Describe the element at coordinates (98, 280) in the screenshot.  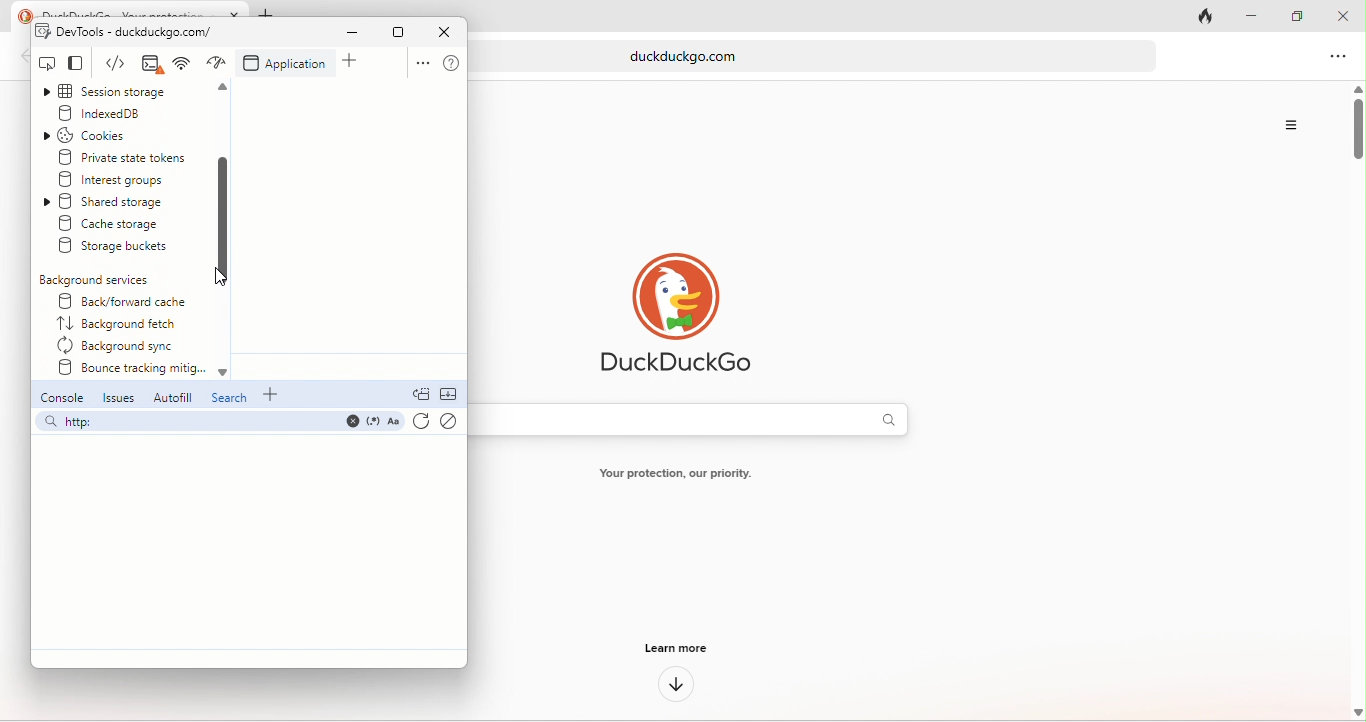
I see `background services` at that location.